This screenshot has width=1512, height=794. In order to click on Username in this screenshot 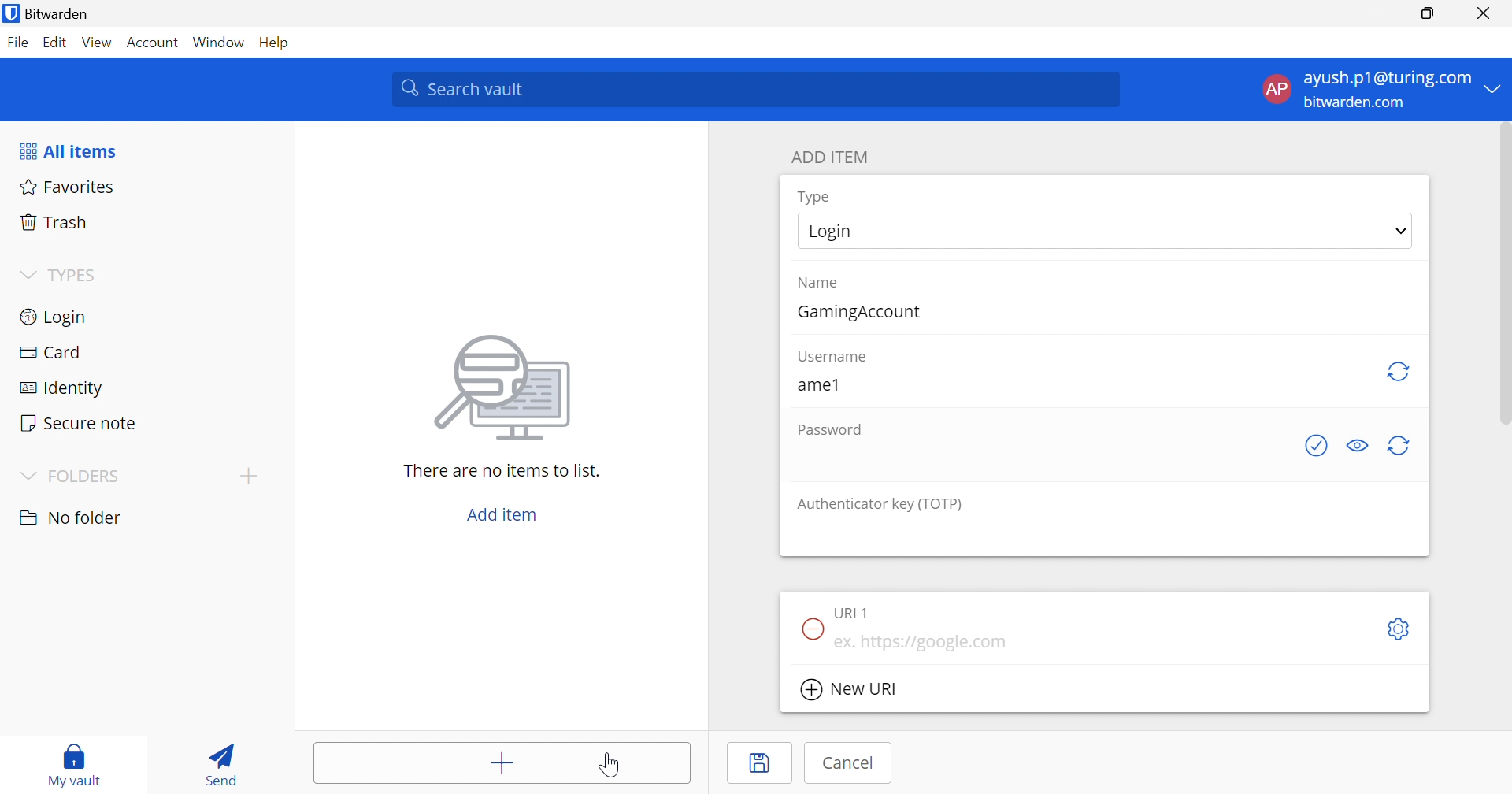, I will do `click(835, 358)`.